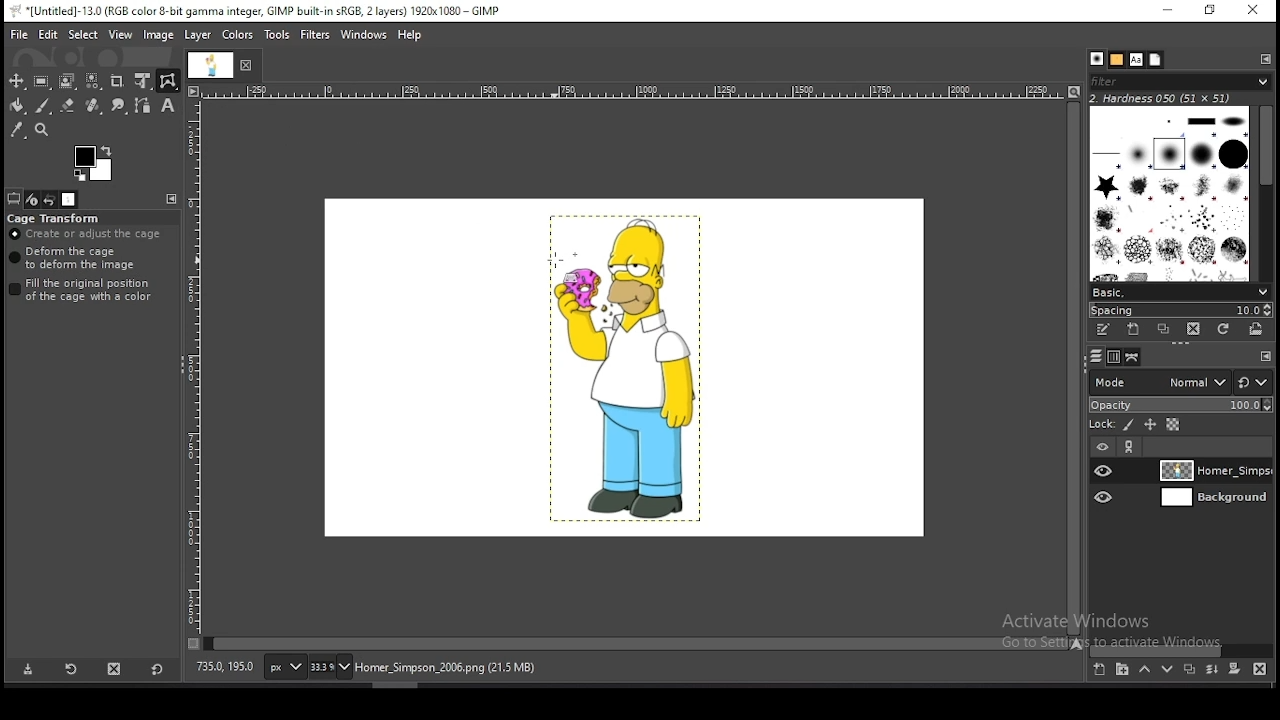 Image resolution: width=1280 pixels, height=720 pixels. I want to click on lock position and size, so click(1149, 425).